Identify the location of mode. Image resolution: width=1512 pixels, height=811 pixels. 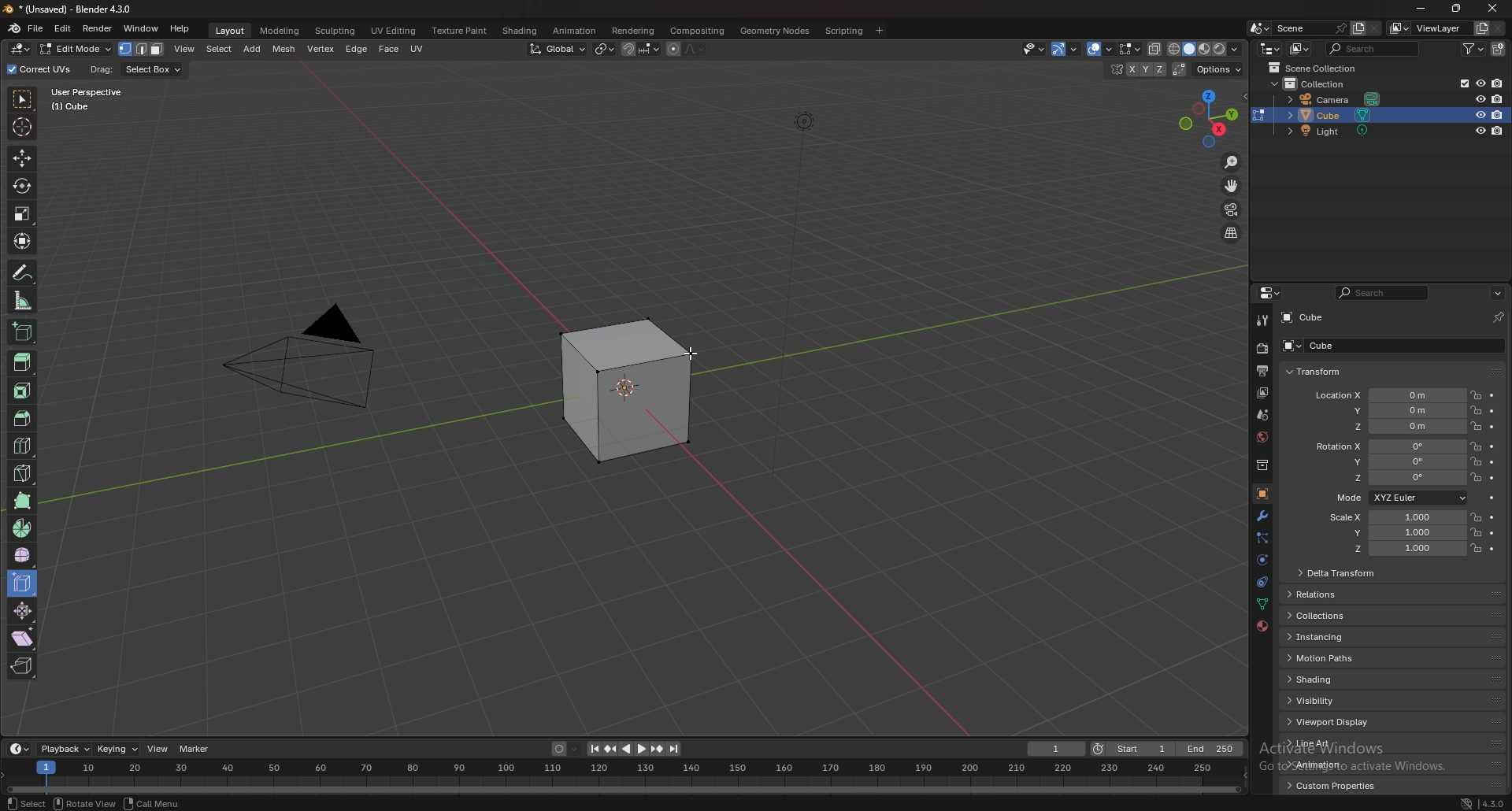
(1399, 498).